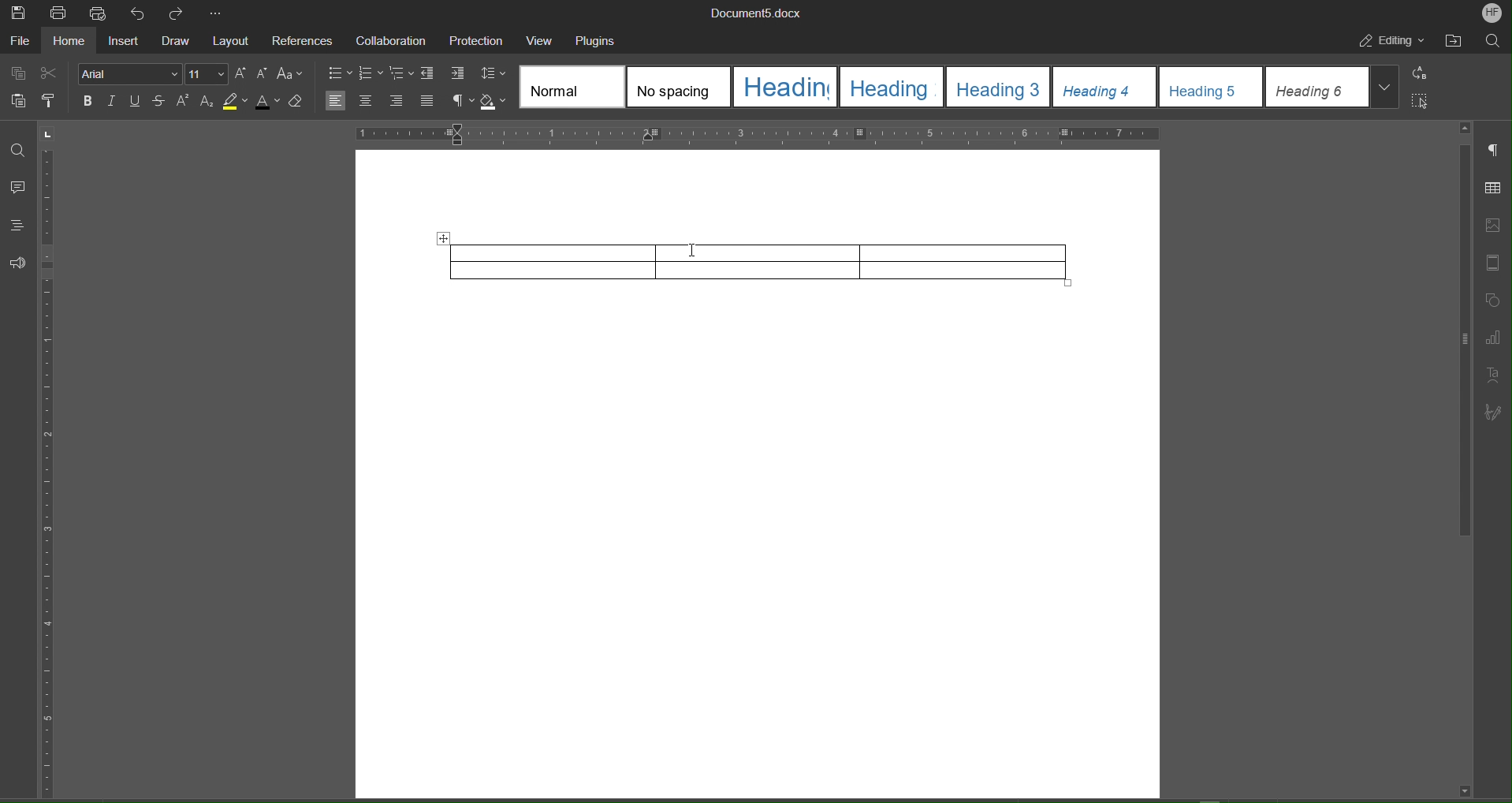  What do you see at coordinates (1385, 85) in the screenshot?
I see `More styles` at bounding box center [1385, 85].